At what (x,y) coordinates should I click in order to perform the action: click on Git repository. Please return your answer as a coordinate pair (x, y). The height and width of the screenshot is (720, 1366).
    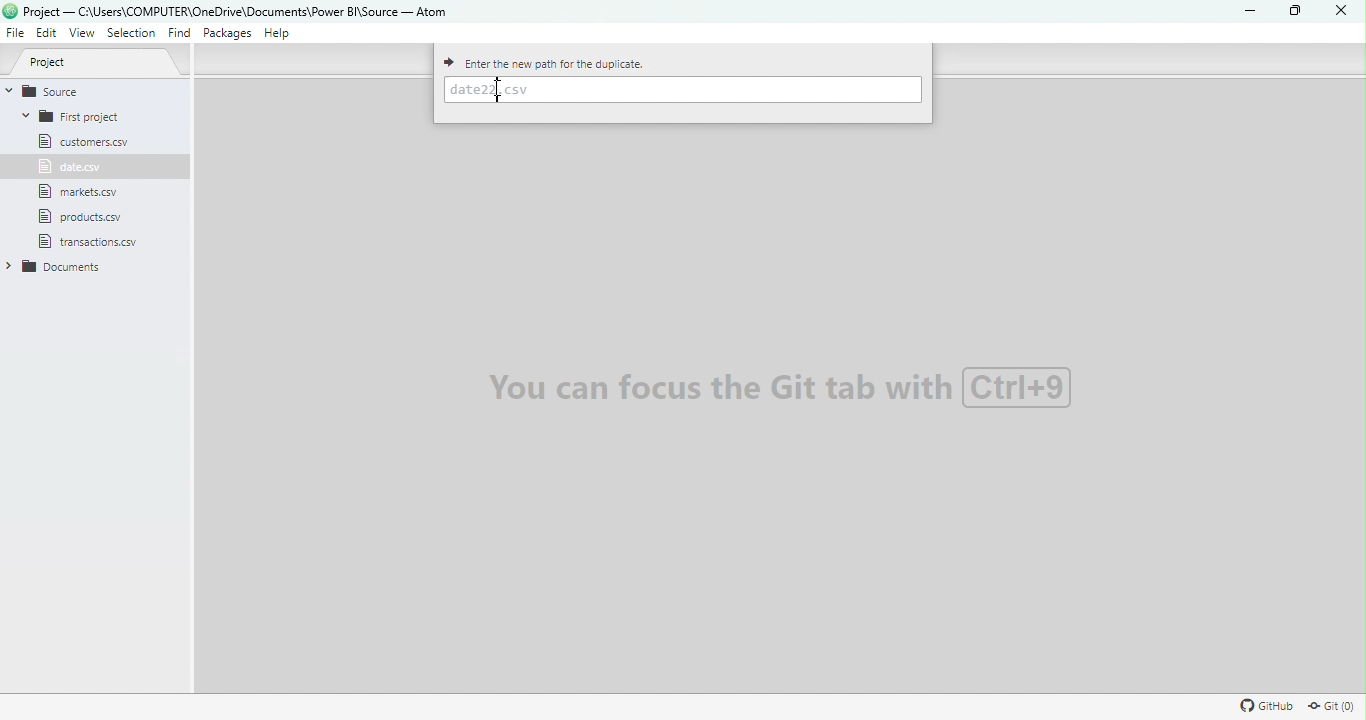
    Looking at the image, I should click on (1333, 705).